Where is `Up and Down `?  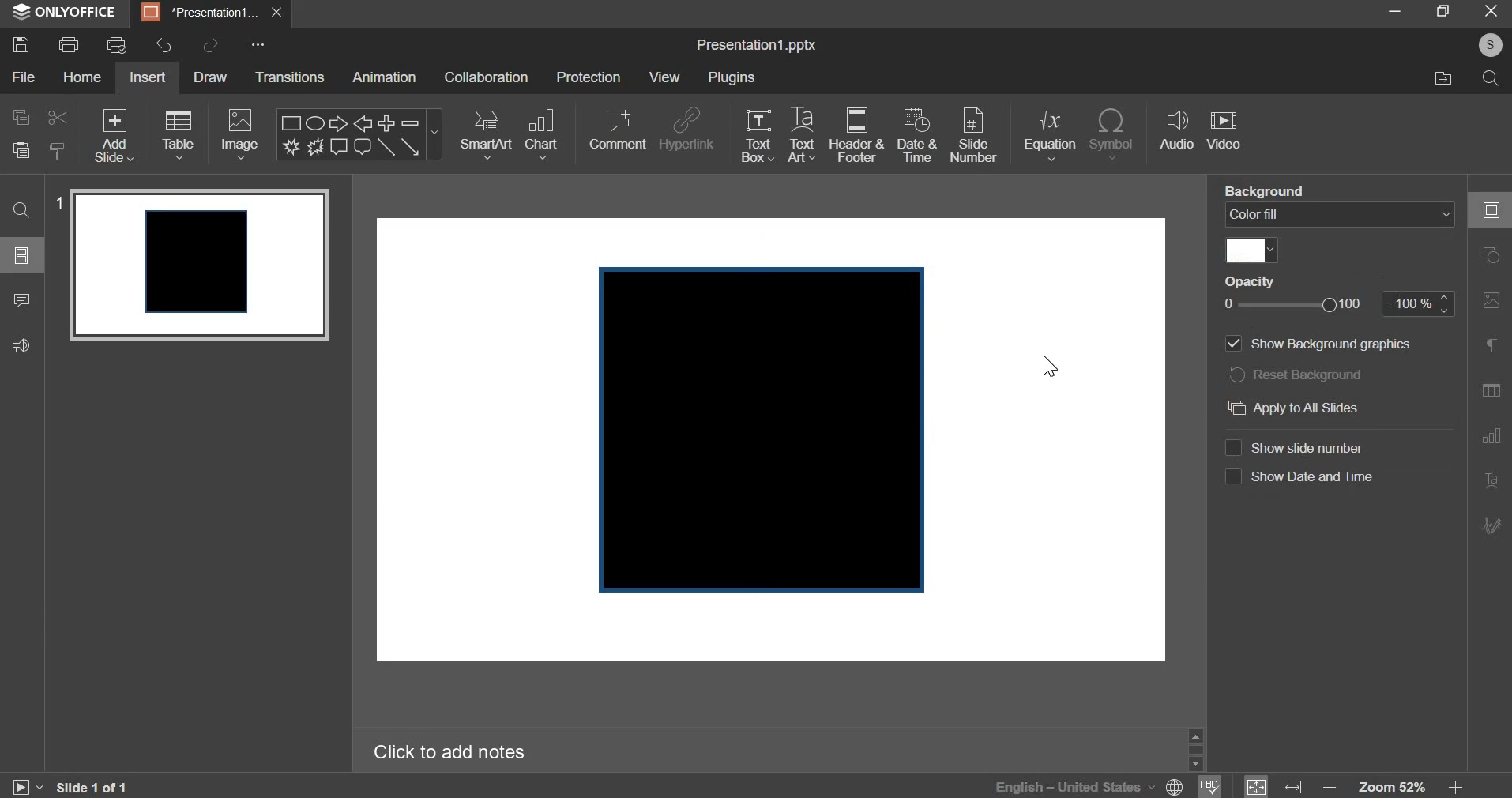 Up and Down  is located at coordinates (1198, 747).